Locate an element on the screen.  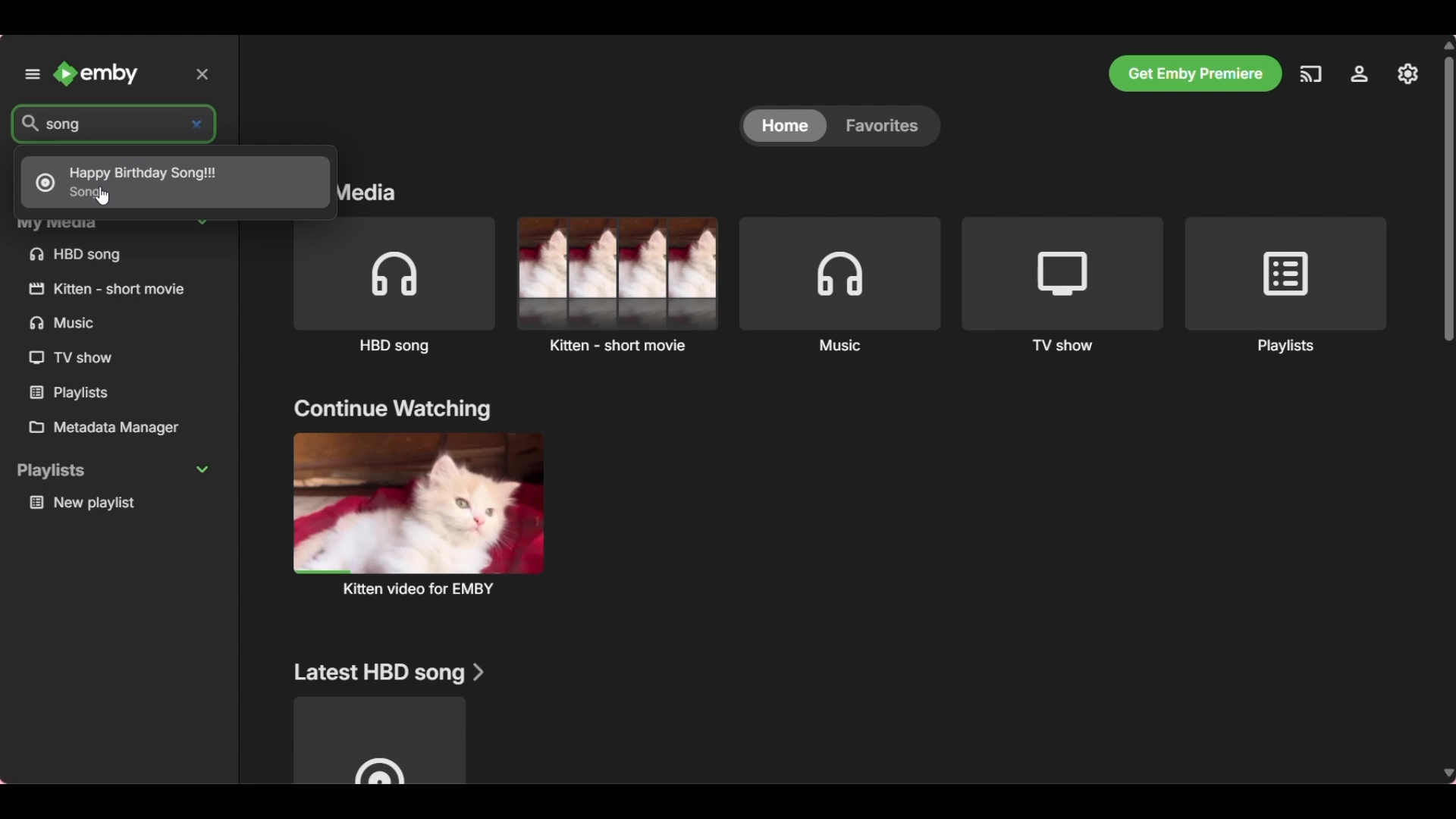
song is located at coordinates (80, 124).